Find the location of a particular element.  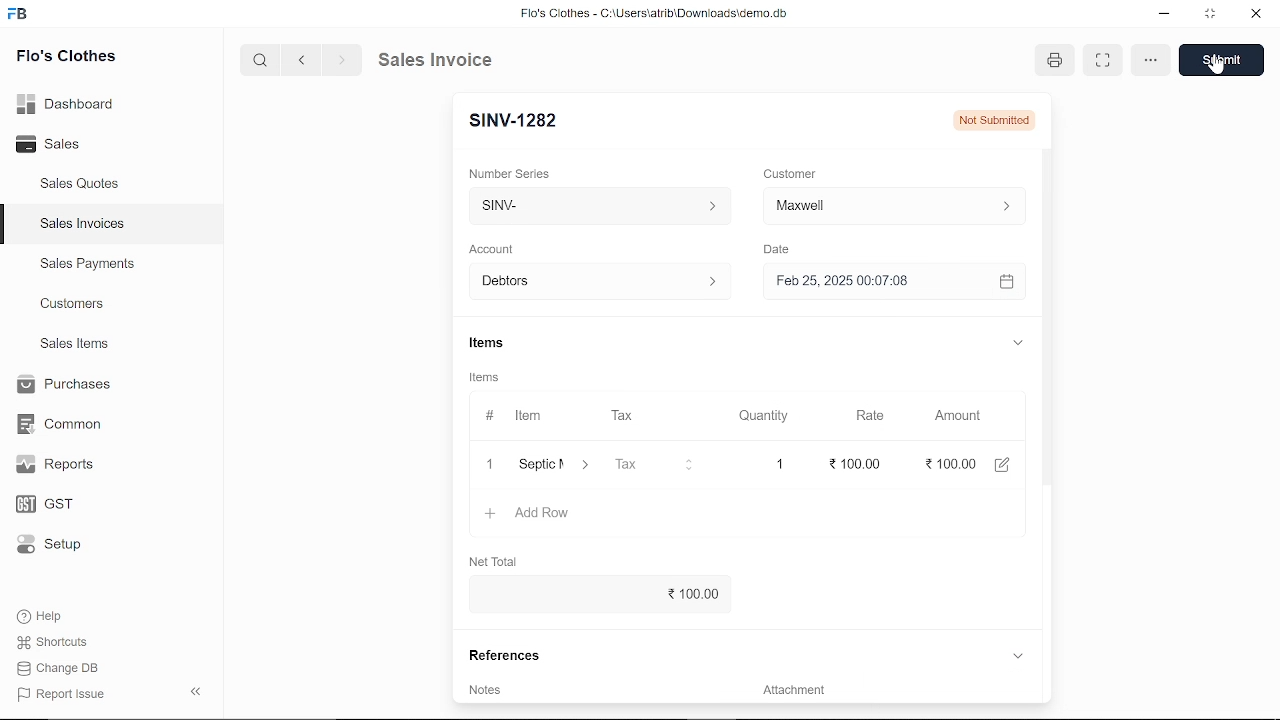

Common is located at coordinates (62, 424).